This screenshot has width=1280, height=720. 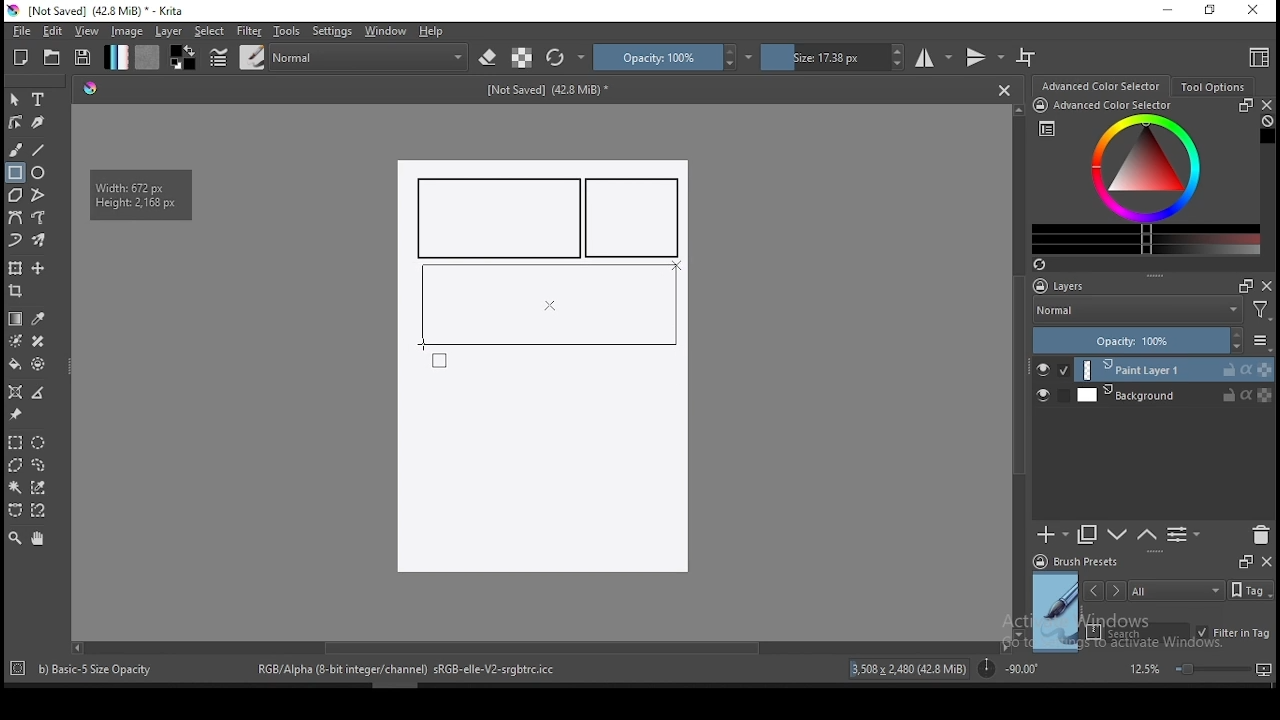 What do you see at coordinates (522, 59) in the screenshot?
I see `preserve alpha` at bounding box center [522, 59].